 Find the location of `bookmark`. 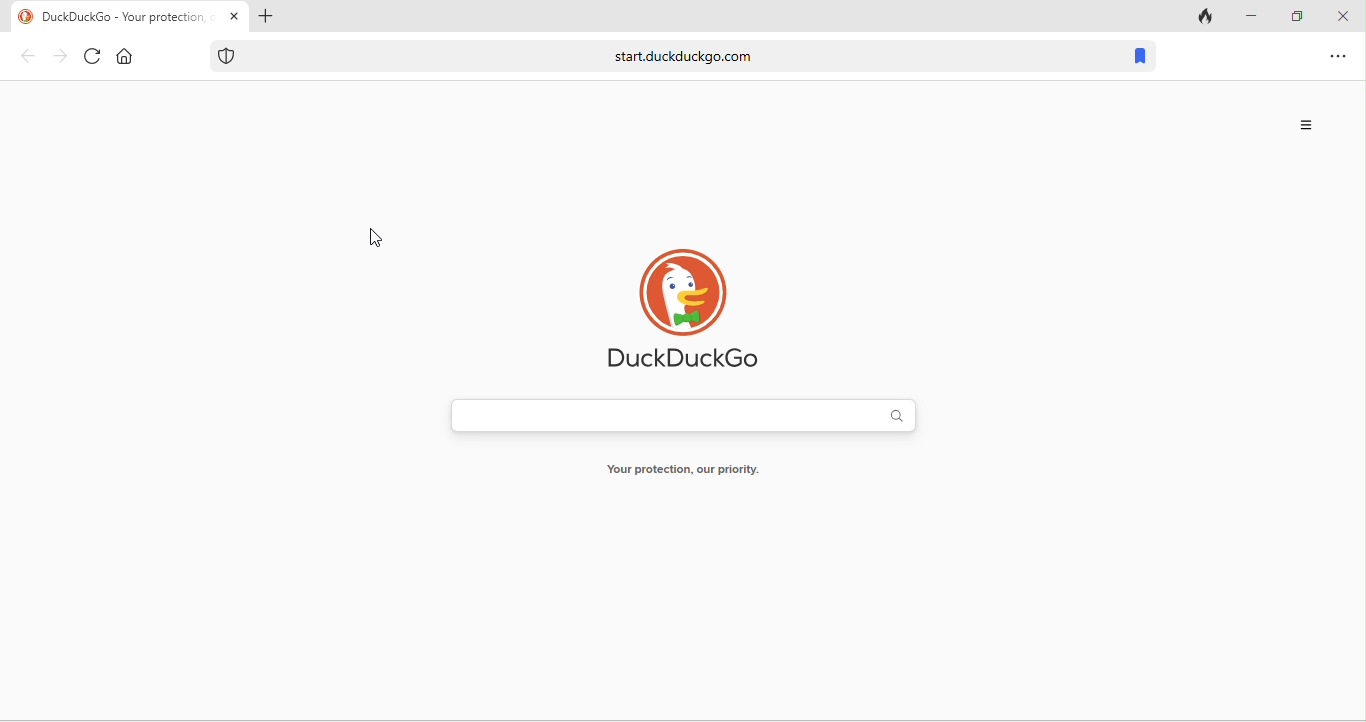

bookmark is located at coordinates (1140, 57).